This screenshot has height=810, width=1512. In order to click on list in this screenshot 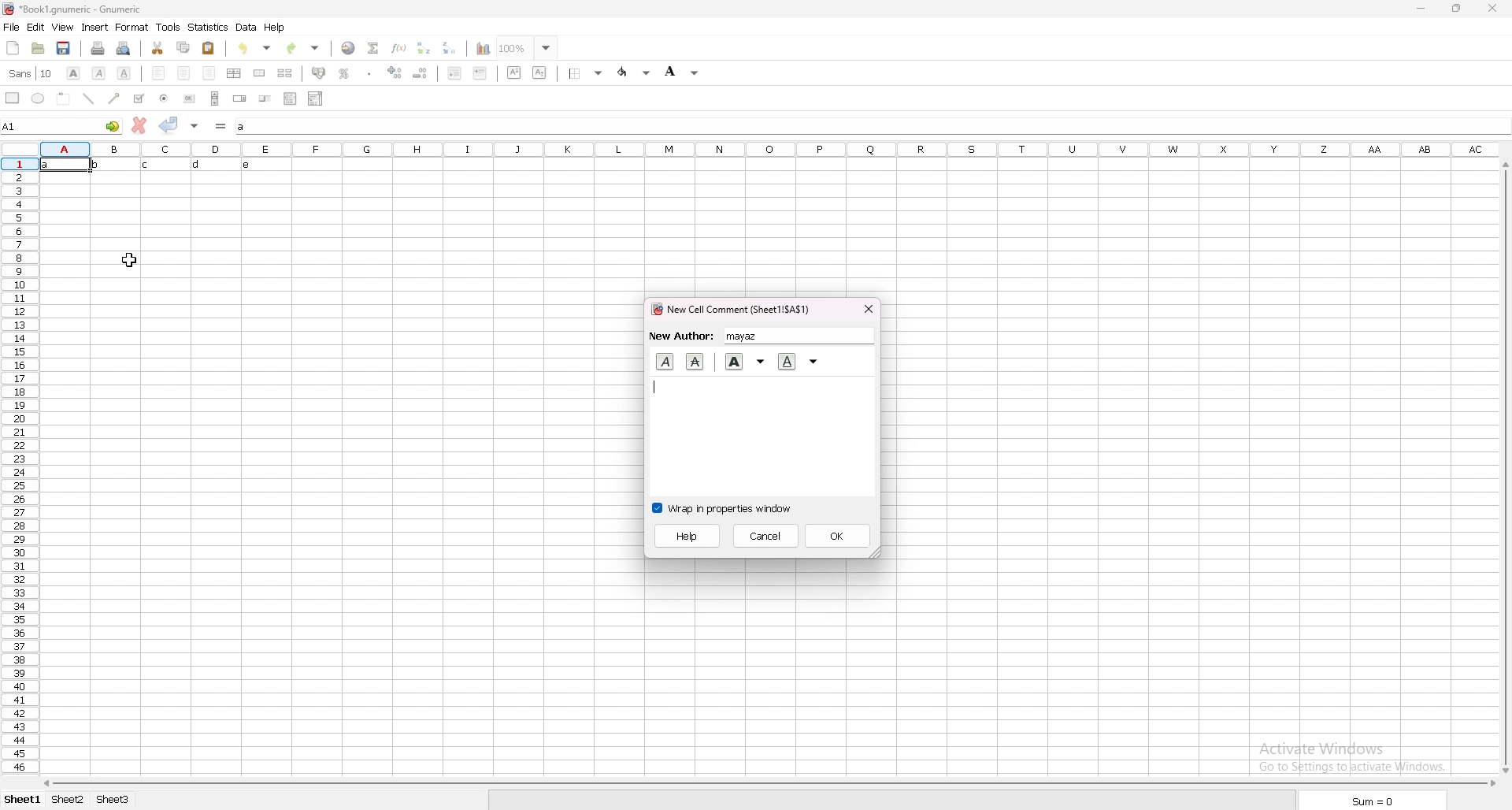, I will do `click(291, 98)`.